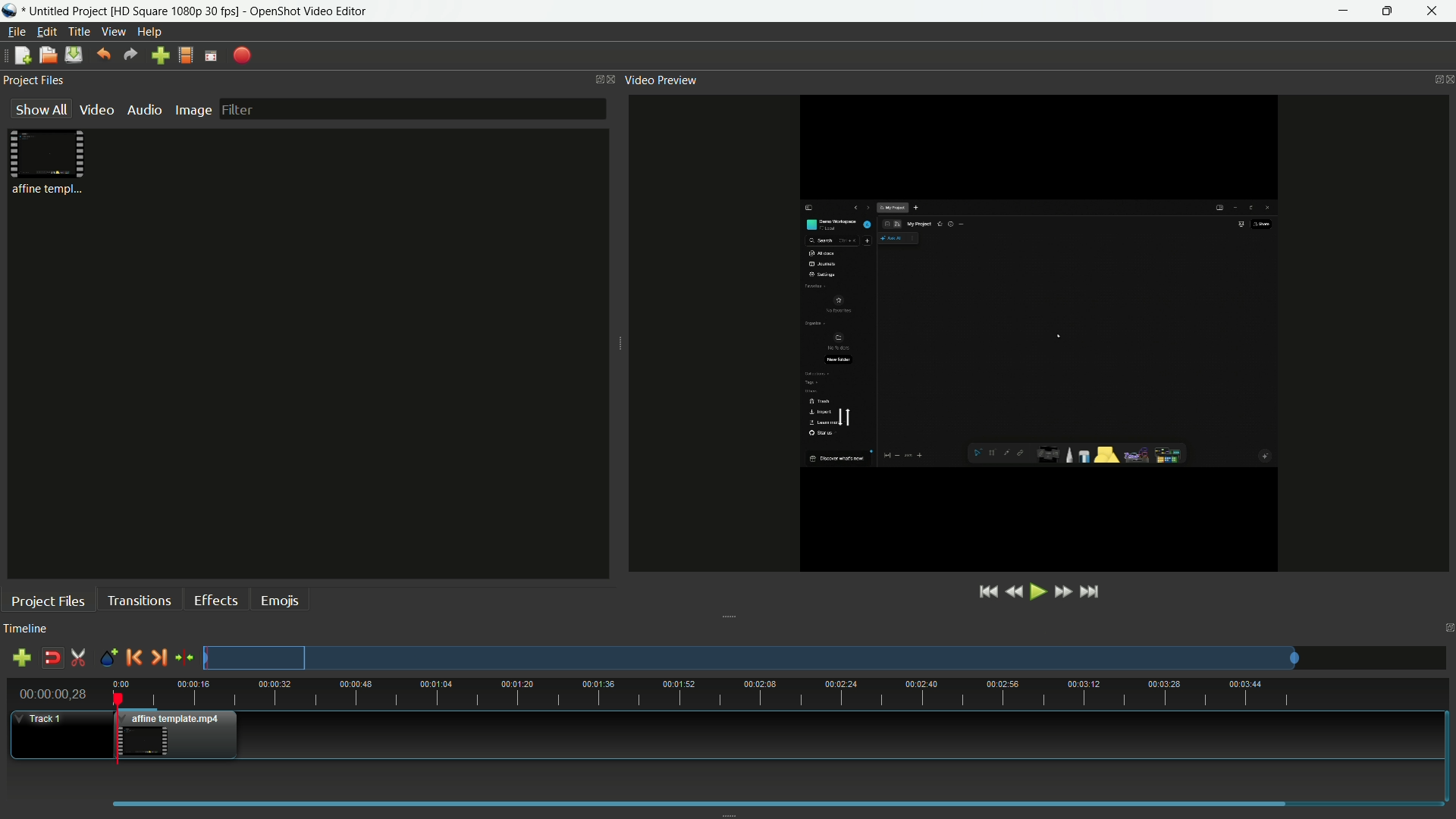 This screenshot has height=819, width=1456. Describe the element at coordinates (152, 33) in the screenshot. I see `help menu` at that location.